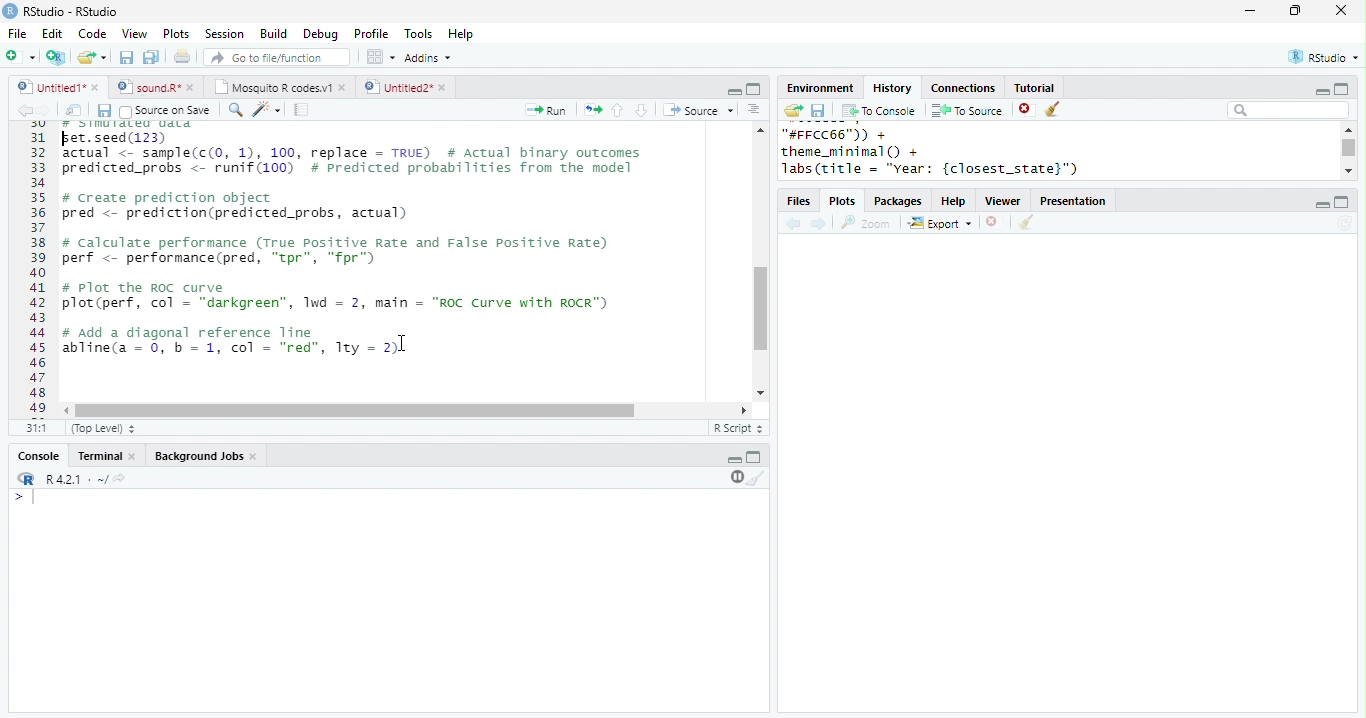 The width and height of the screenshot is (1366, 718). What do you see at coordinates (68, 141) in the screenshot?
I see `cursor` at bounding box center [68, 141].